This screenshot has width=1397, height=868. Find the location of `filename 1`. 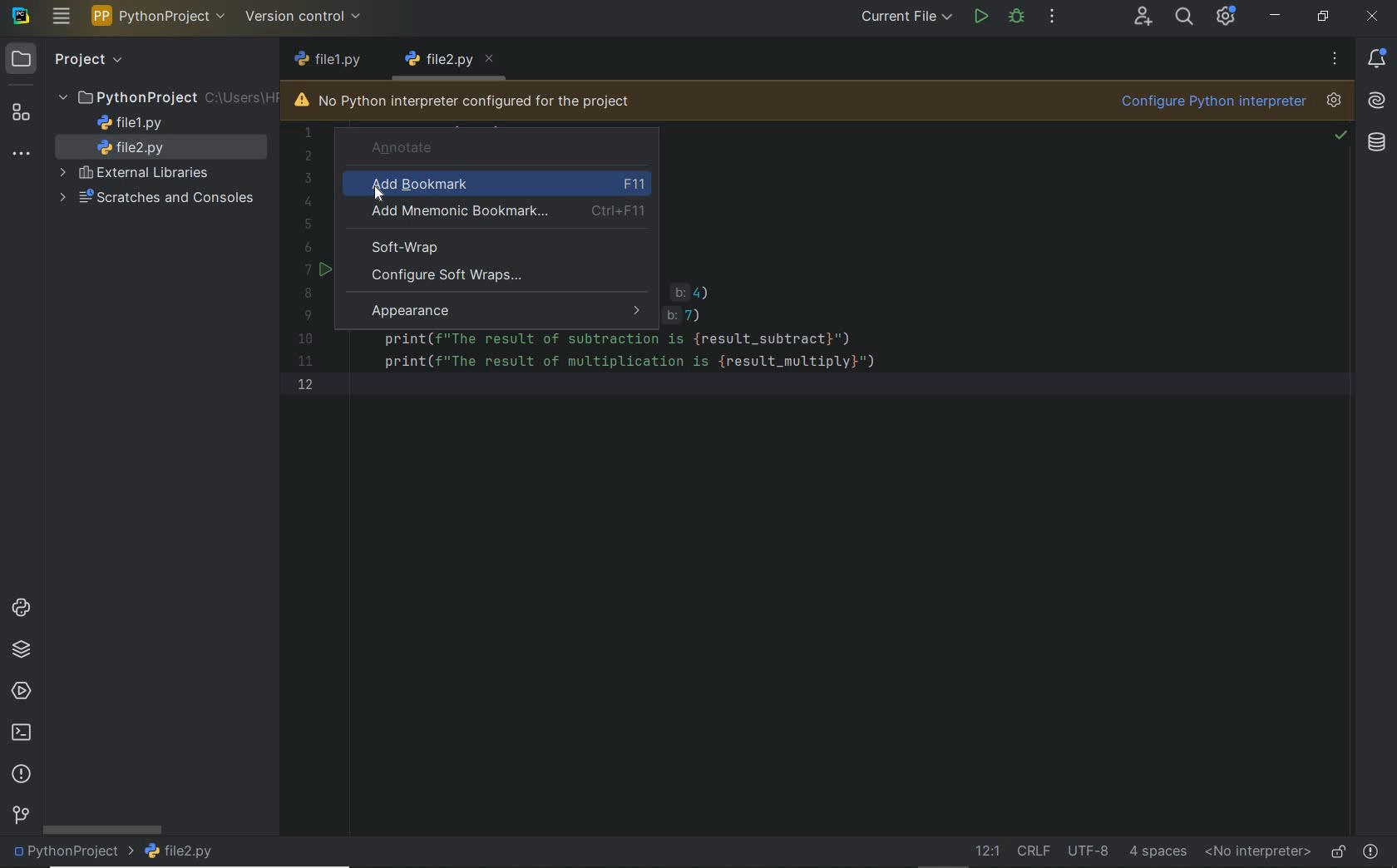

filename 1 is located at coordinates (440, 60).